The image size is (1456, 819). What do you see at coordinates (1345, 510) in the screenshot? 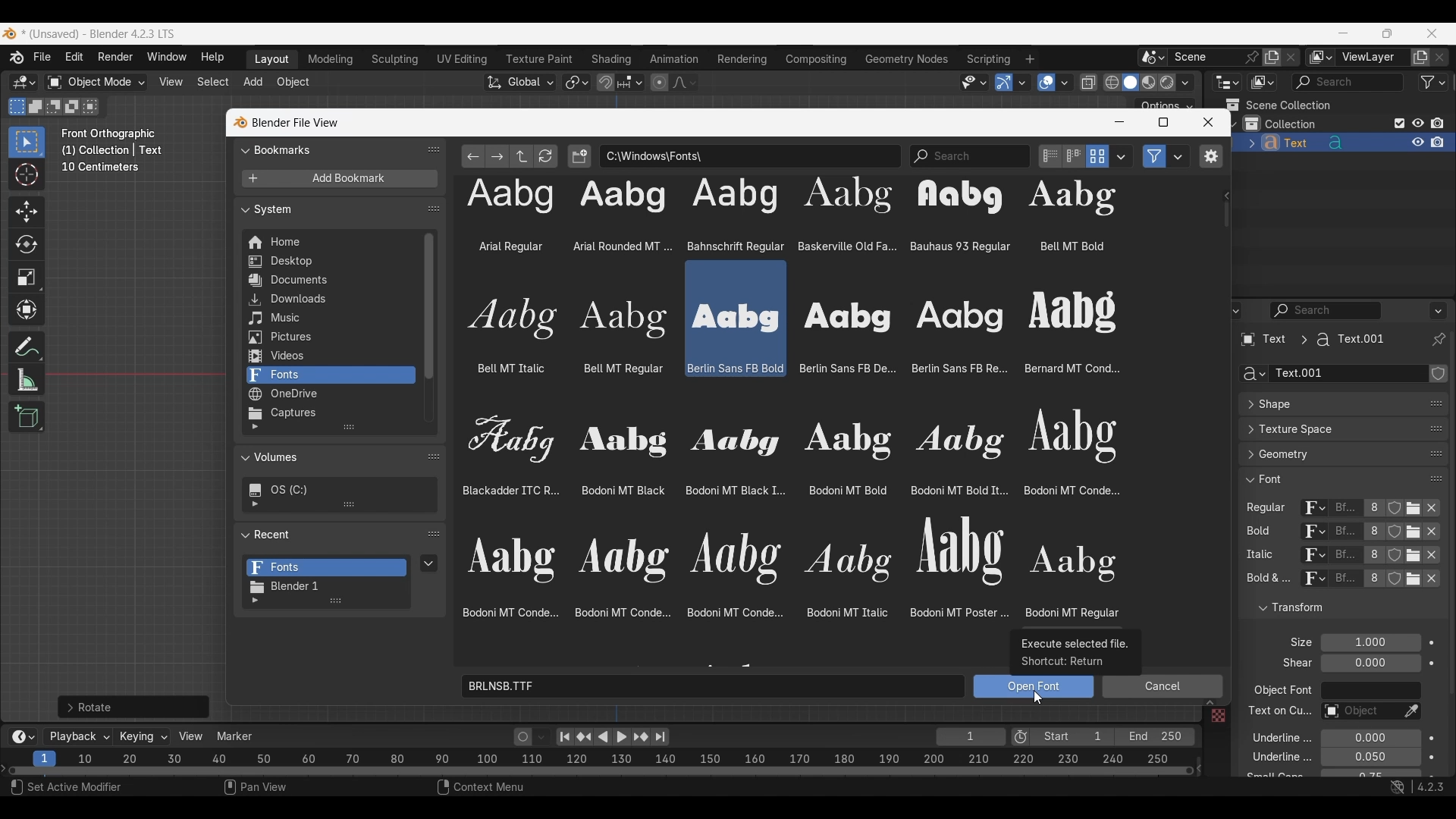
I see `Name of current font of each attribute` at bounding box center [1345, 510].